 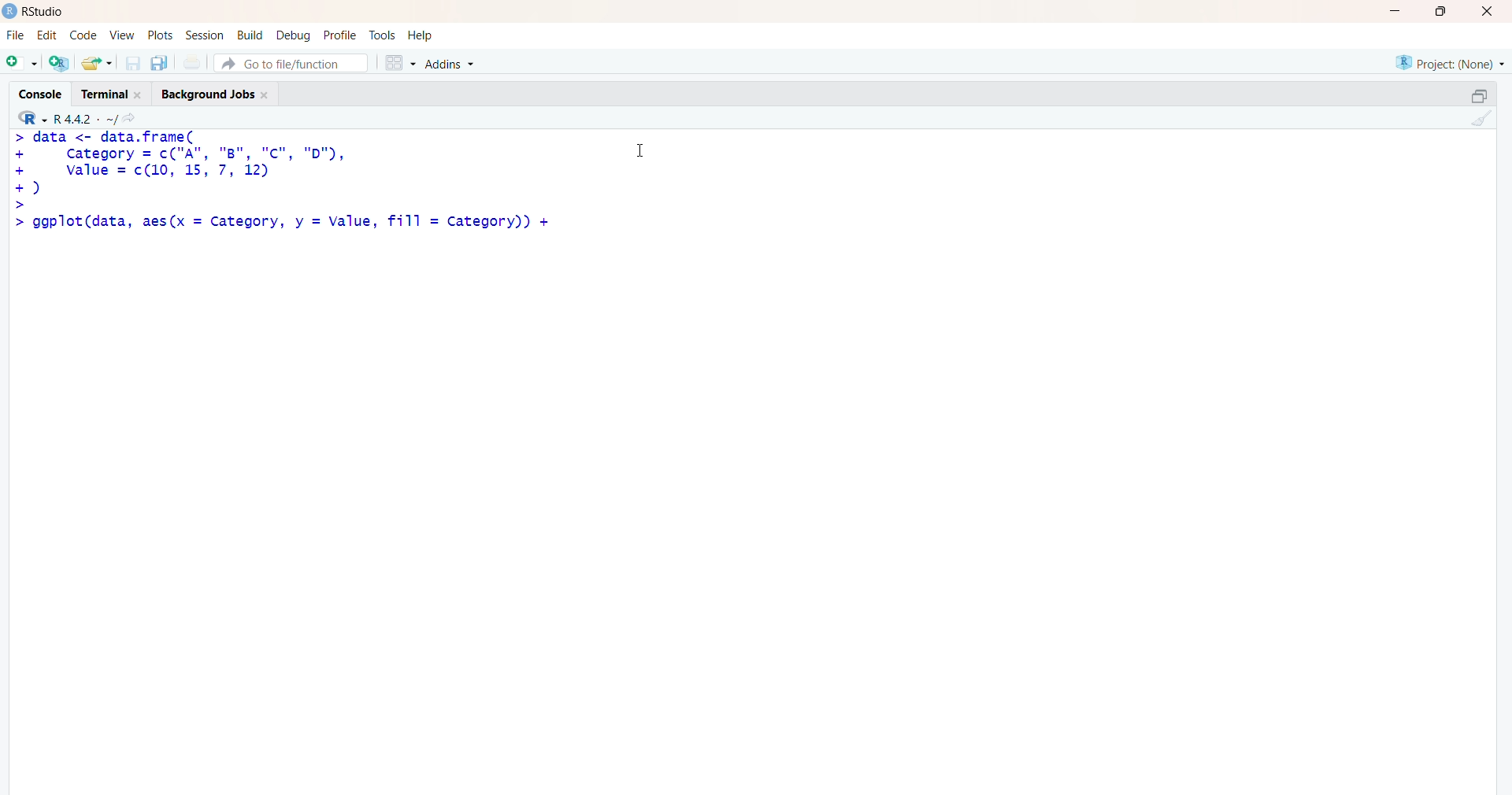 What do you see at coordinates (34, 118) in the screenshot?
I see `R language` at bounding box center [34, 118].